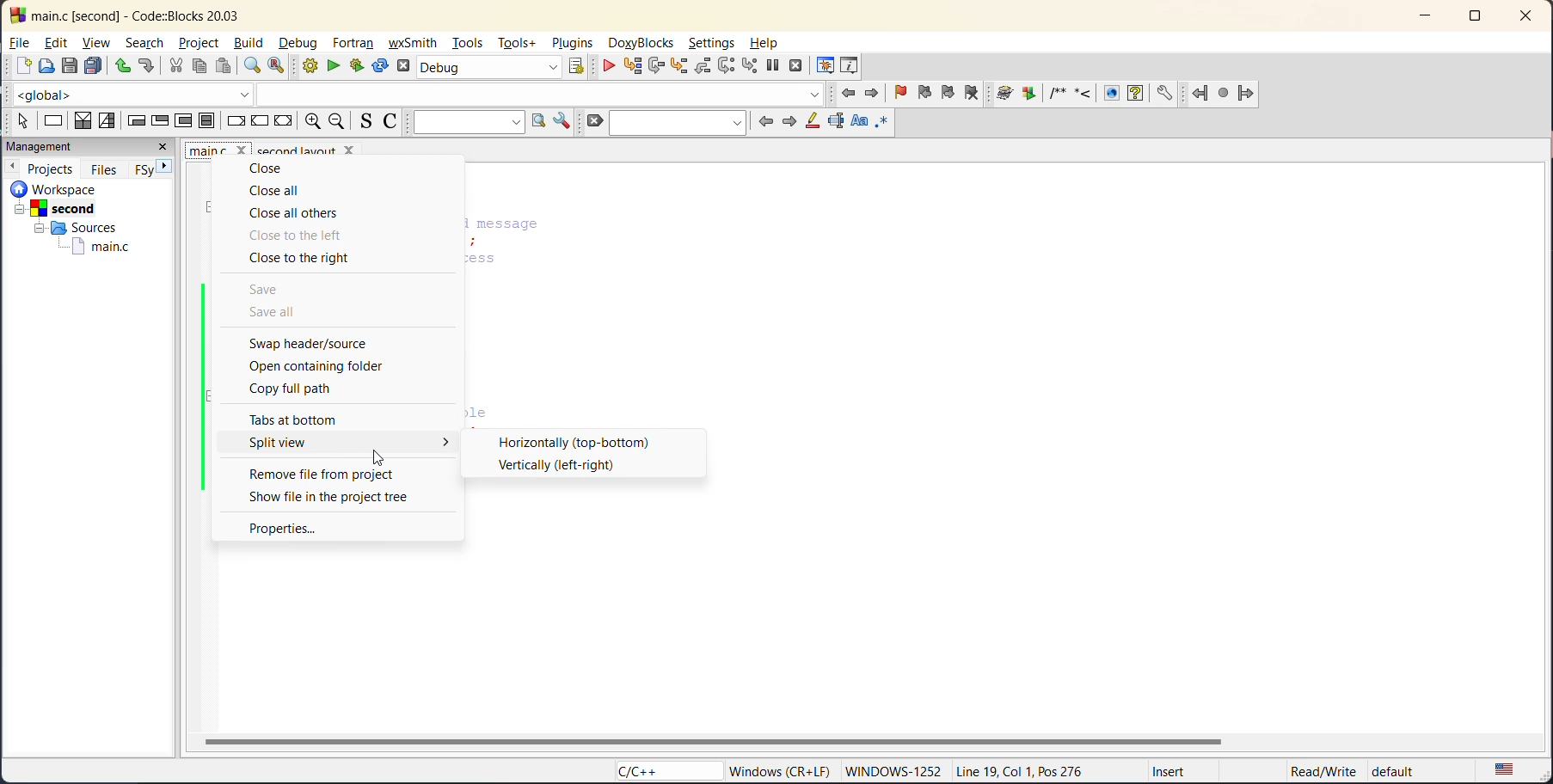  What do you see at coordinates (302, 236) in the screenshot?
I see `close to the left` at bounding box center [302, 236].